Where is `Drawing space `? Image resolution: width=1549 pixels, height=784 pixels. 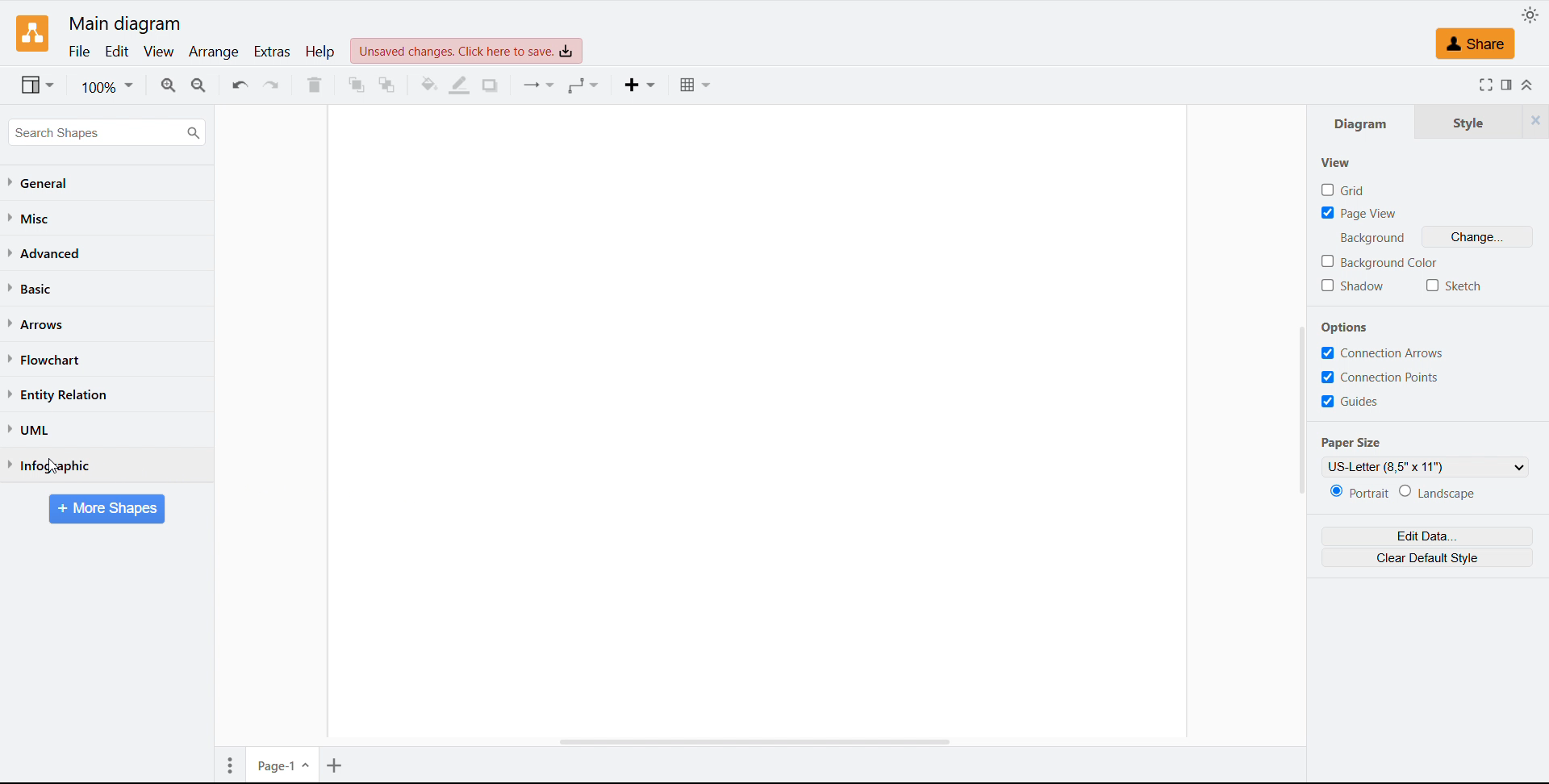
Drawing space  is located at coordinates (759, 422).